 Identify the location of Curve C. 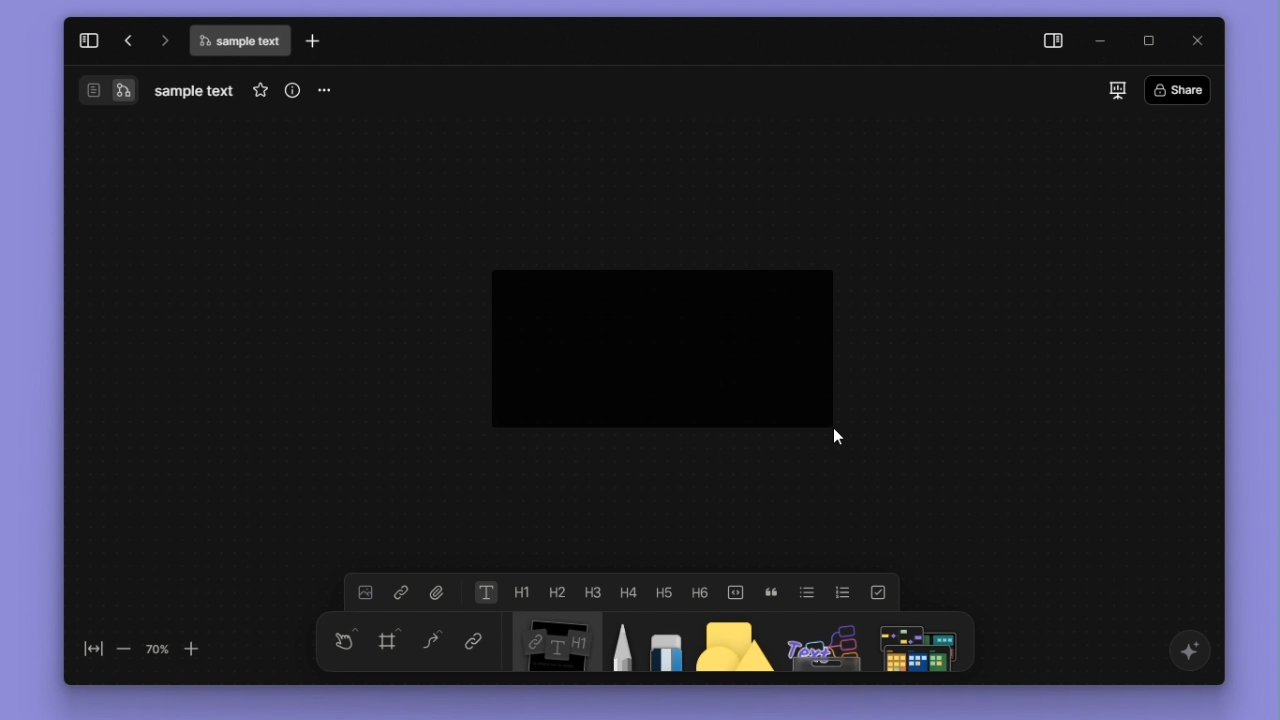
(432, 644).